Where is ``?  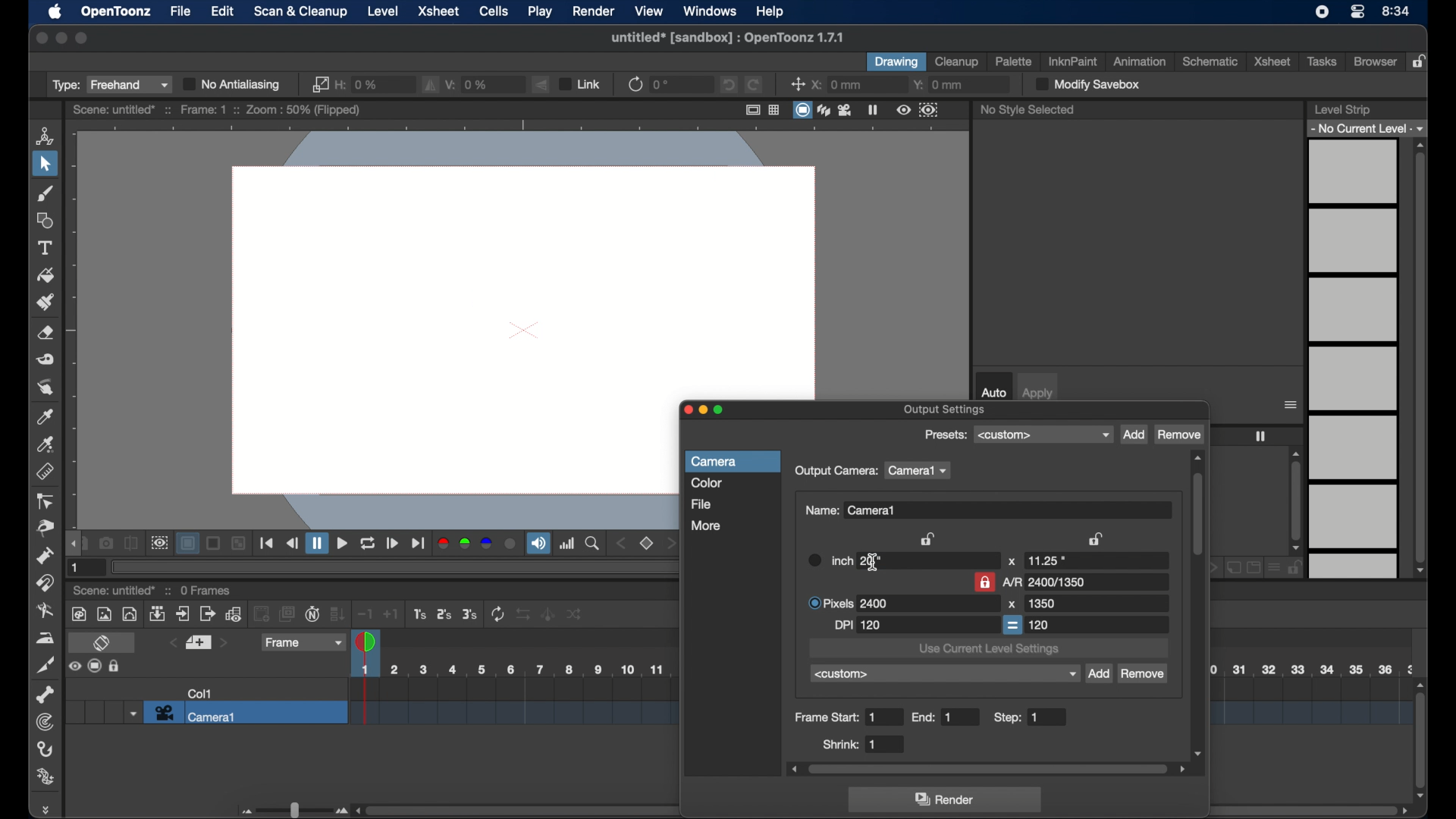
 is located at coordinates (240, 544).